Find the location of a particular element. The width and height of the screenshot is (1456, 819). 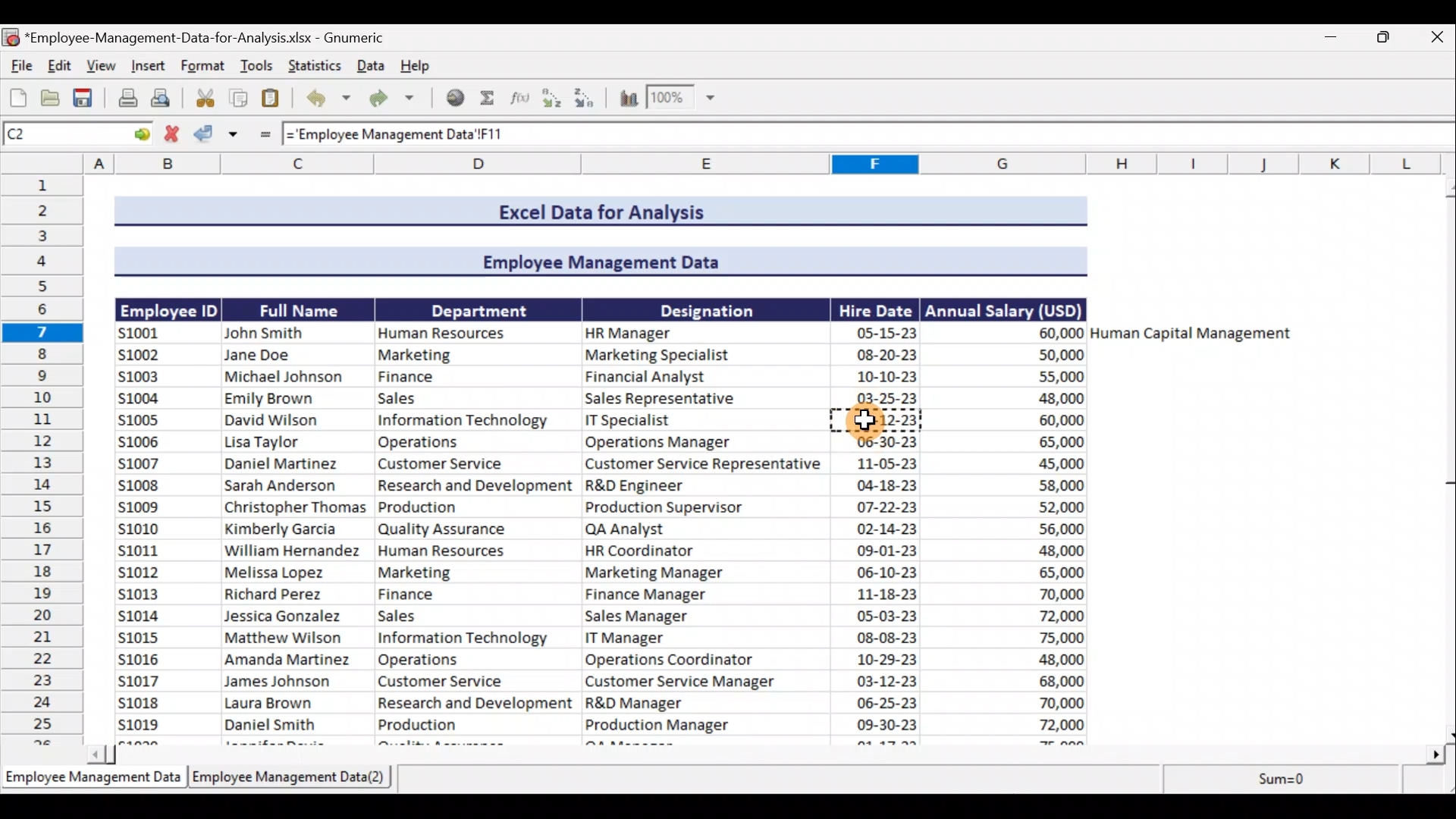

Rows is located at coordinates (42, 459).